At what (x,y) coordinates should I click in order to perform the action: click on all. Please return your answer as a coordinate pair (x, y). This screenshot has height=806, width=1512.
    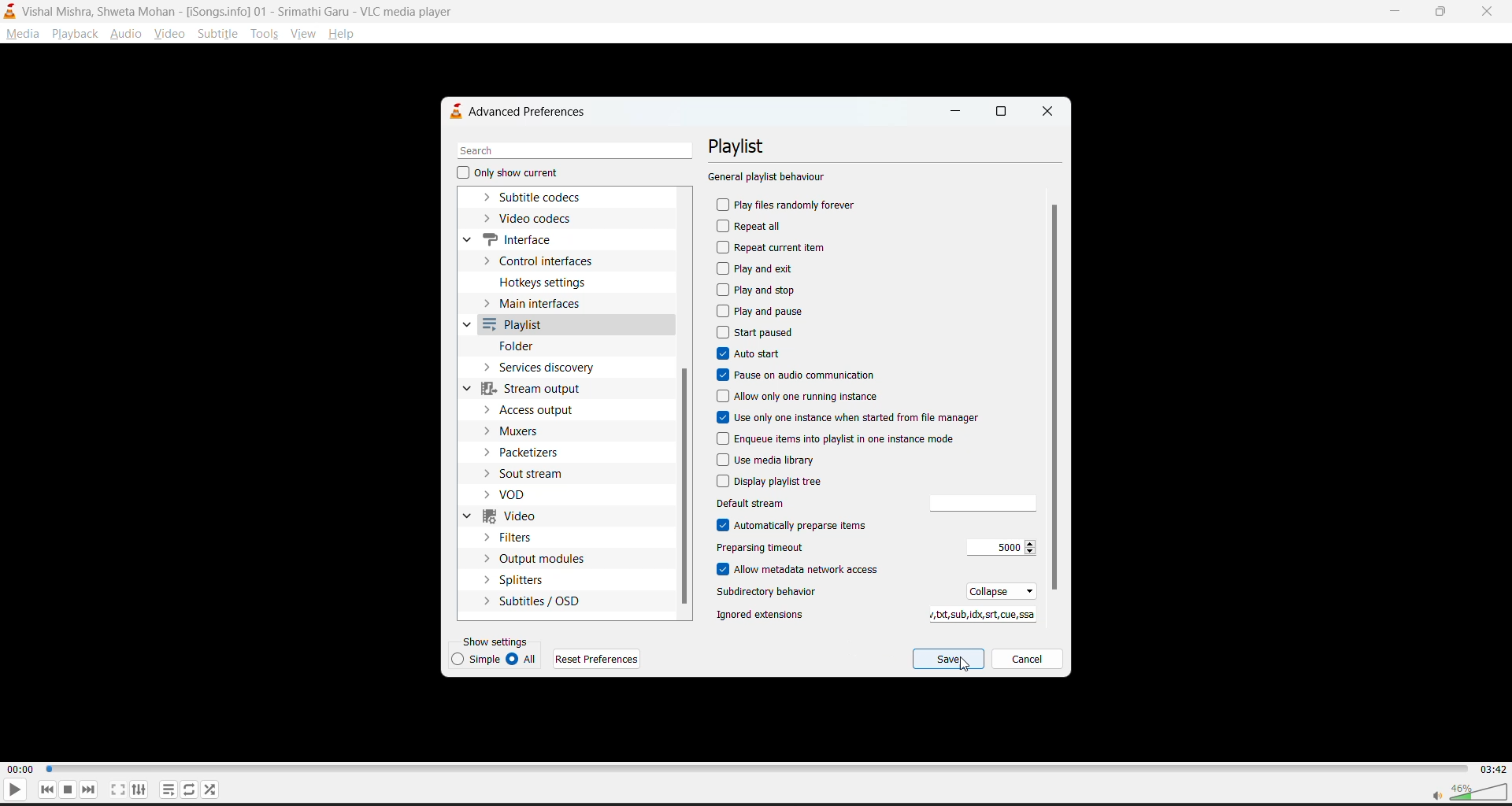
    Looking at the image, I should click on (524, 660).